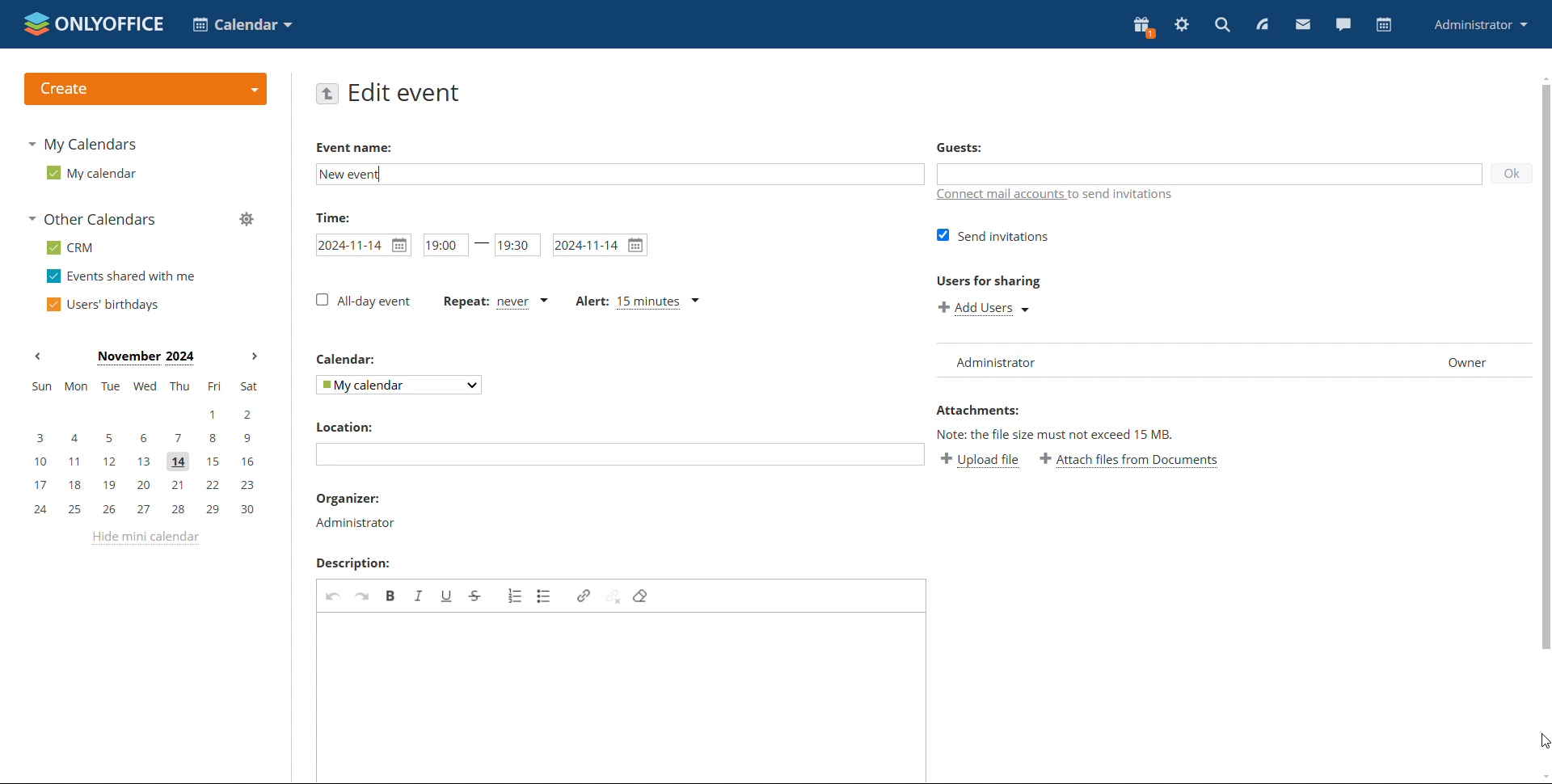 Image resolution: width=1552 pixels, height=784 pixels. Describe the element at coordinates (361, 597) in the screenshot. I see `redo` at that location.